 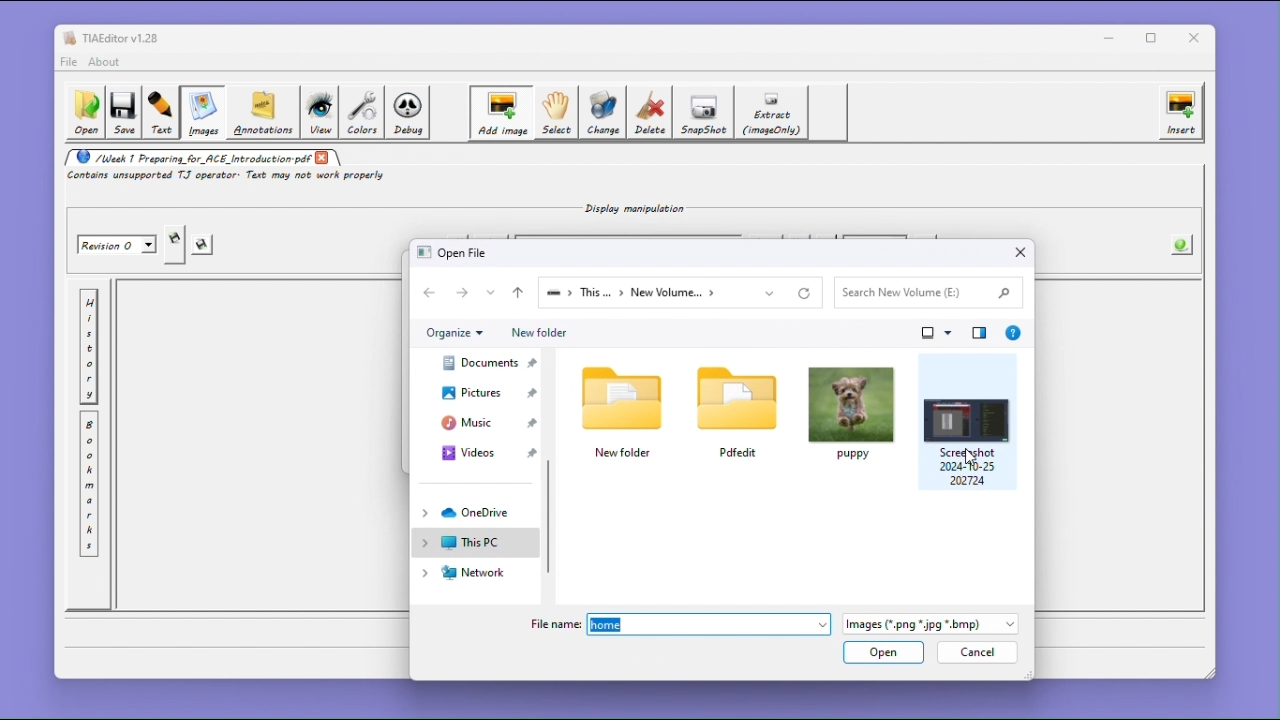 What do you see at coordinates (175, 245) in the screenshot?
I see `Save a copy` at bounding box center [175, 245].